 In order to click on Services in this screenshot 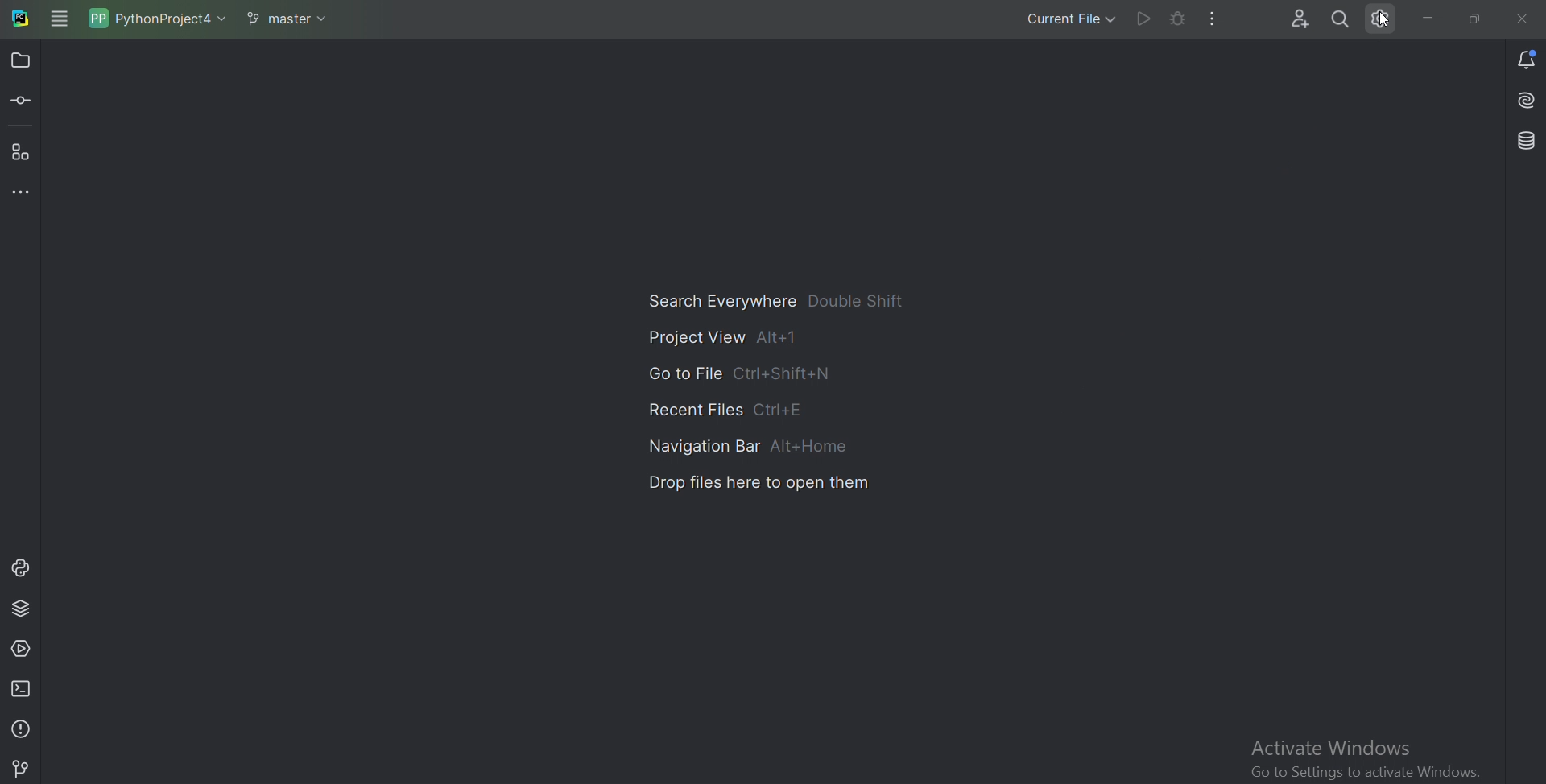, I will do `click(26, 646)`.